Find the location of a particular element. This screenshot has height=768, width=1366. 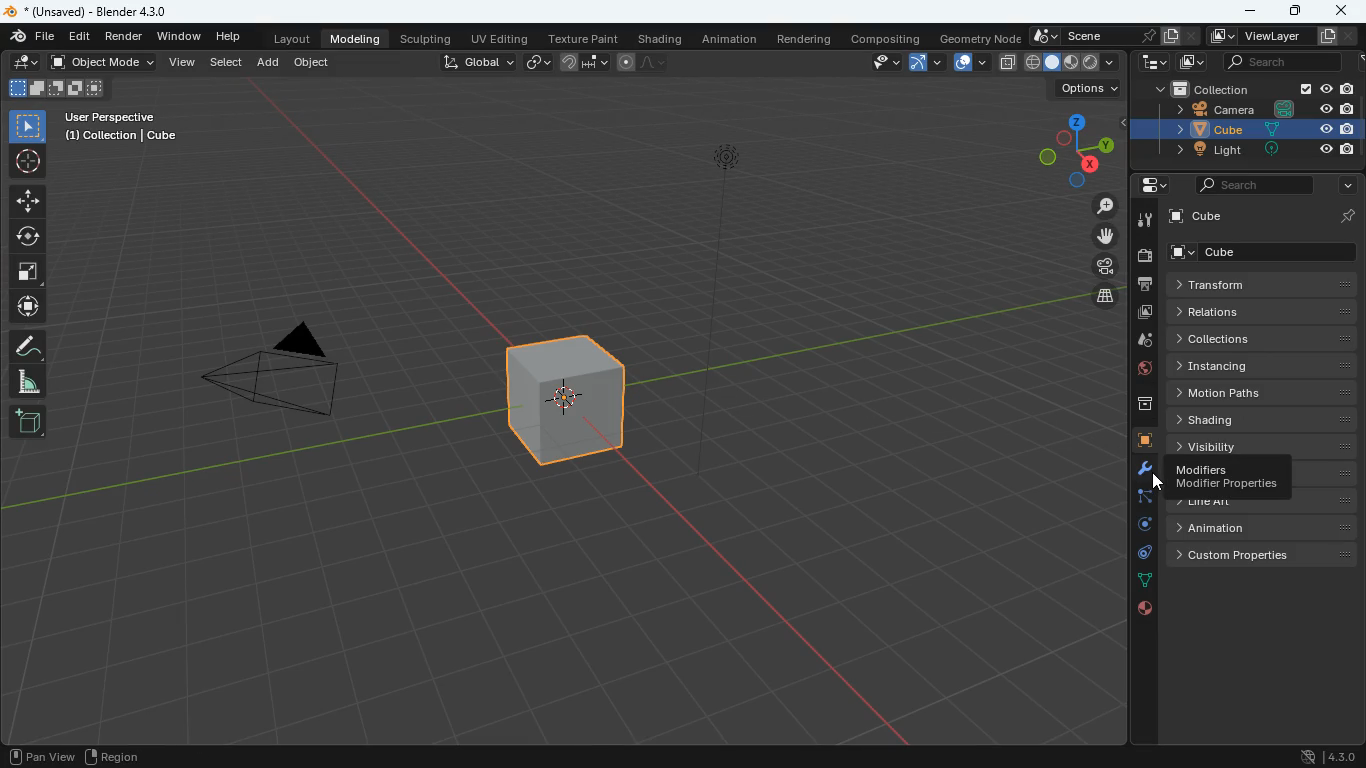

move is located at coordinates (30, 308).